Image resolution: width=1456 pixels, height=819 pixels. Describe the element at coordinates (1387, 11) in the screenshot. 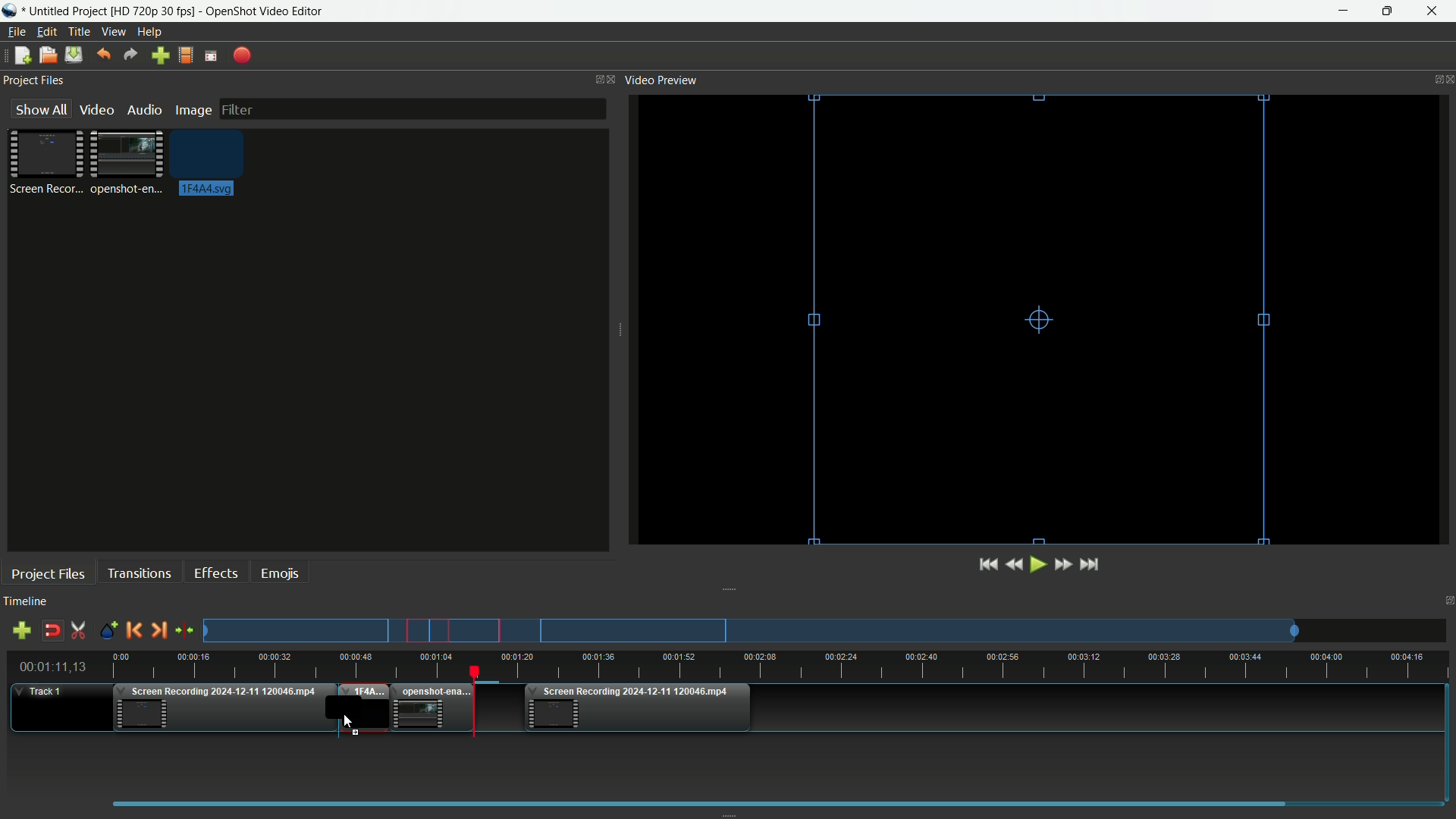

I see `maximize` at that location.